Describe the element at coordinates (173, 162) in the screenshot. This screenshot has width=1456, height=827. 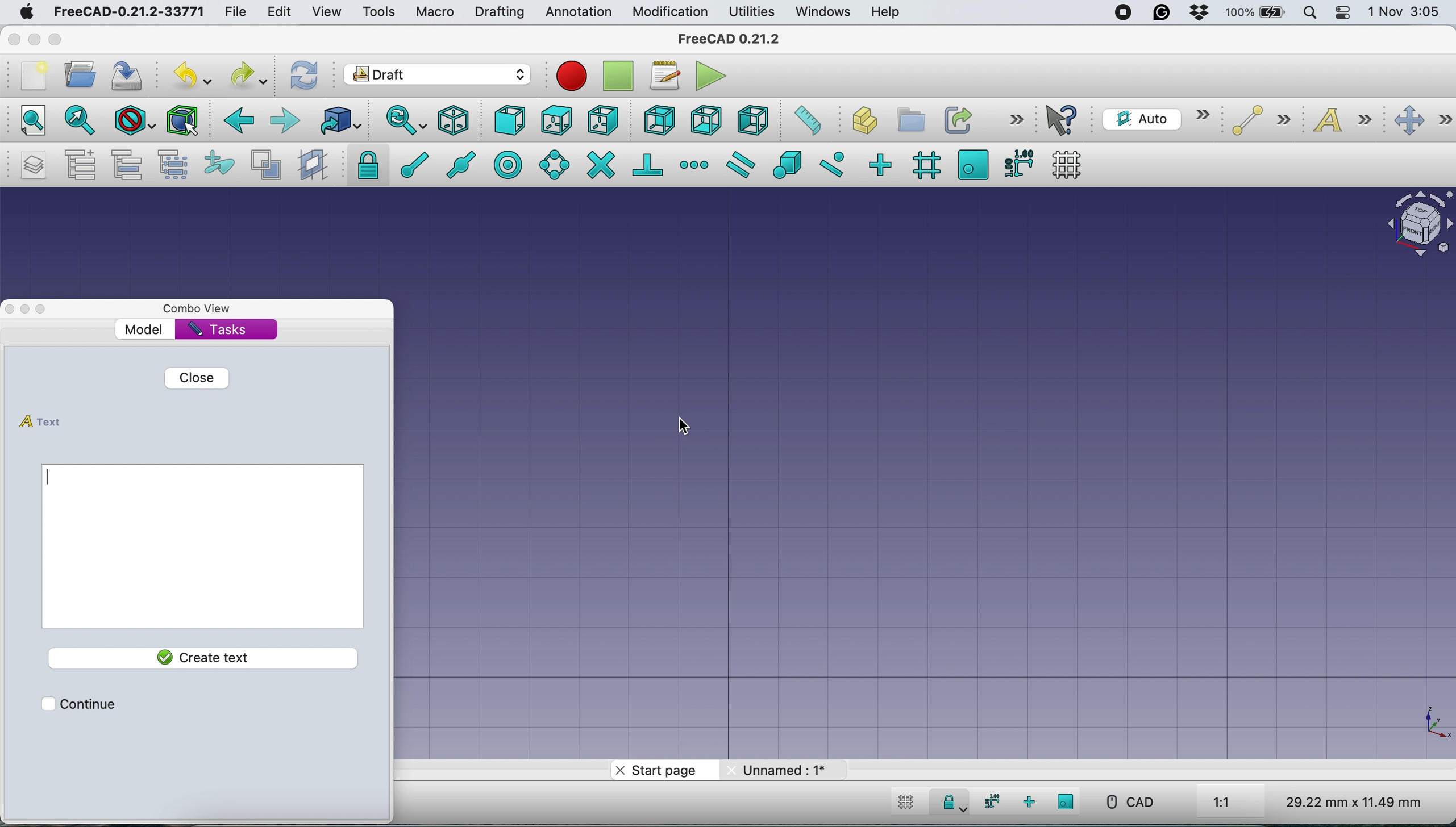
I see `select group` at that location.